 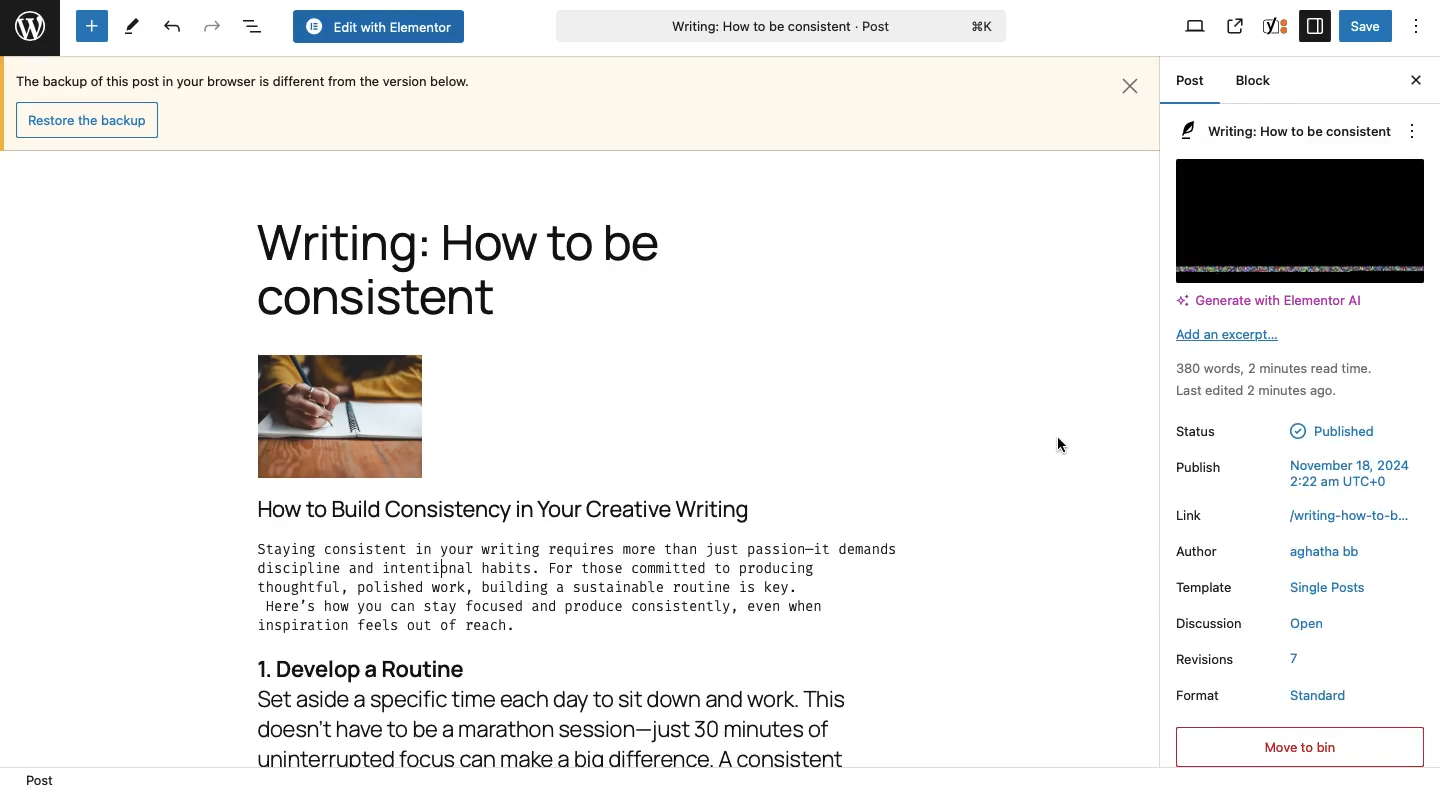 I want to click on 380 words, 2 minutes read time. Last edited 2 minutes ago., so click(x=1285, y=378).